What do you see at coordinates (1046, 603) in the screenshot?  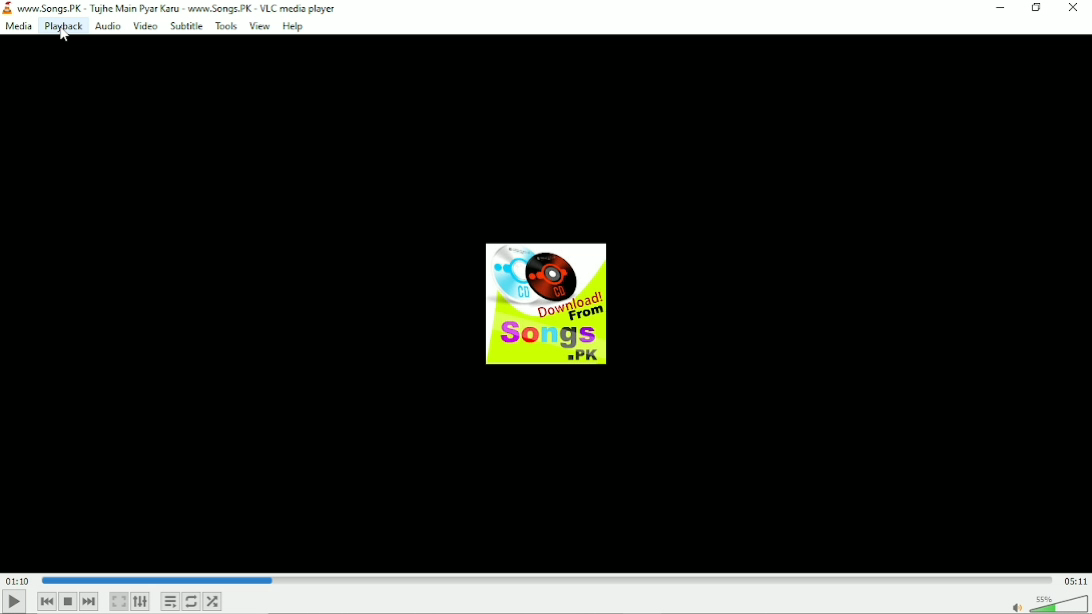 I see `Volume` at bounding box center [1046, 603].